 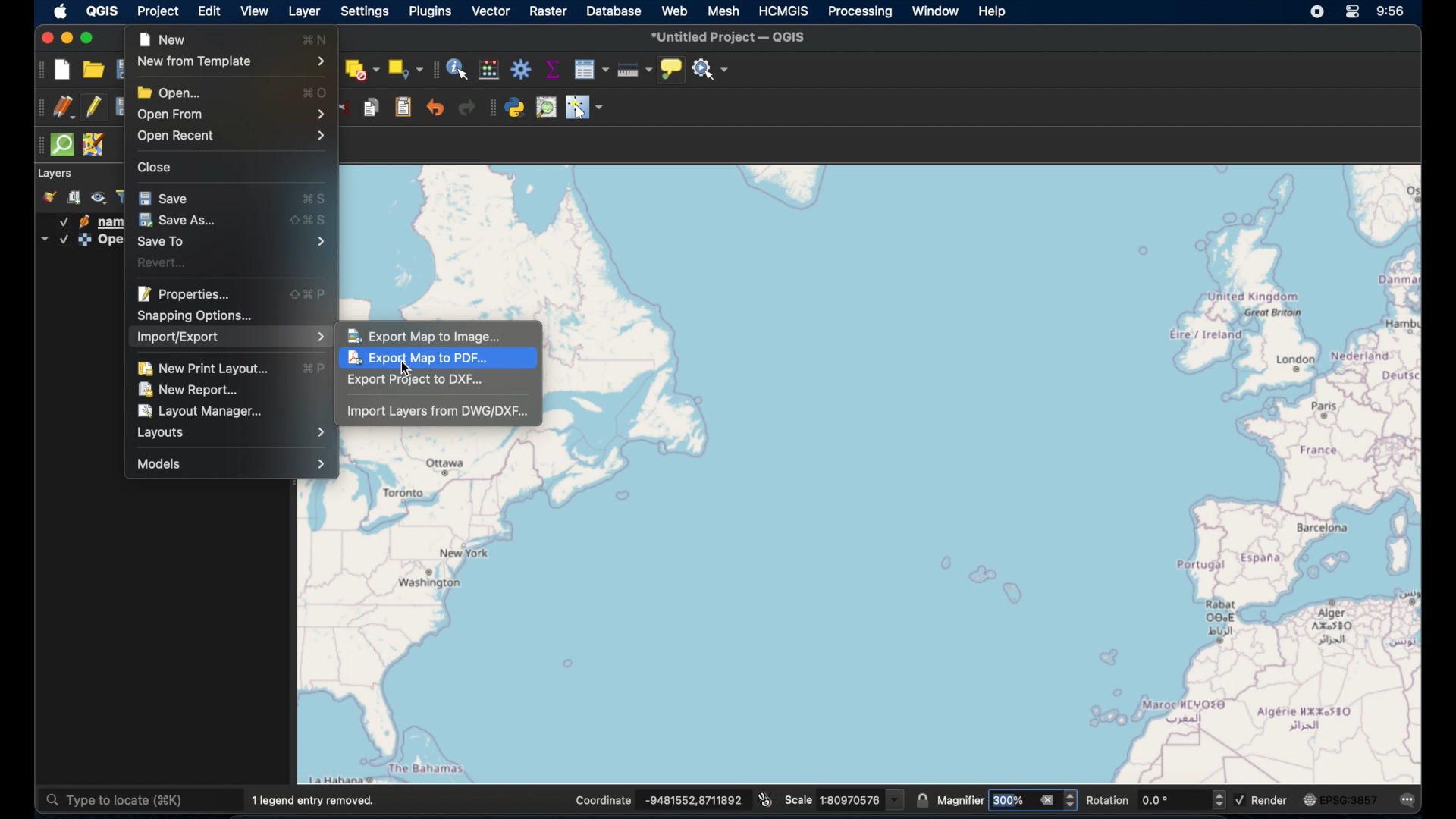 What do you see at coordinates (163, 262) in the screenshot?
I see `revert` at bounding box center [163, 262].